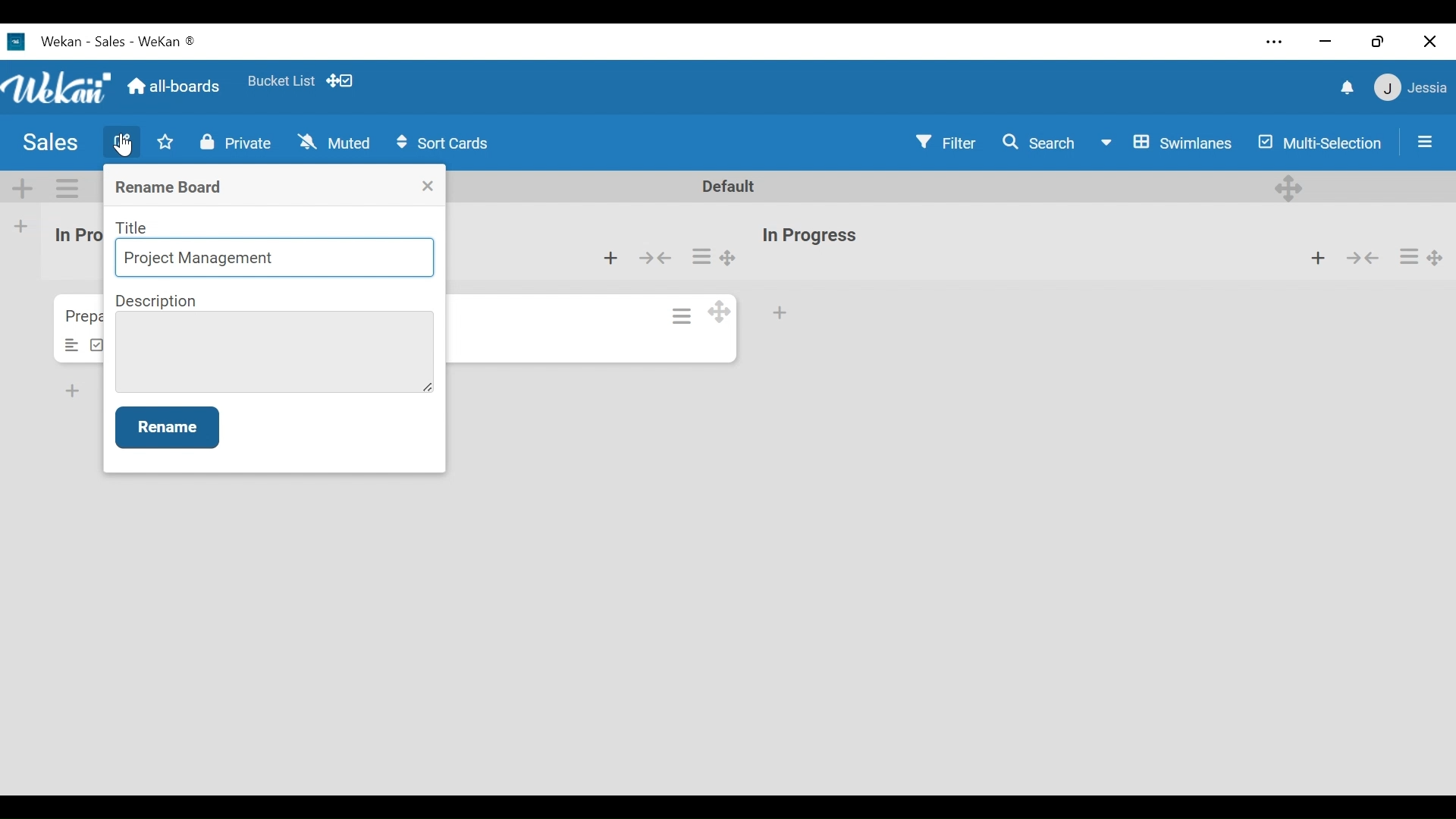 The image size is (1456, 819). What do you see at coordinates (1436, 259) in the screenshot?
I see `Desktop drag handles` at bounding box center [1436, 259].